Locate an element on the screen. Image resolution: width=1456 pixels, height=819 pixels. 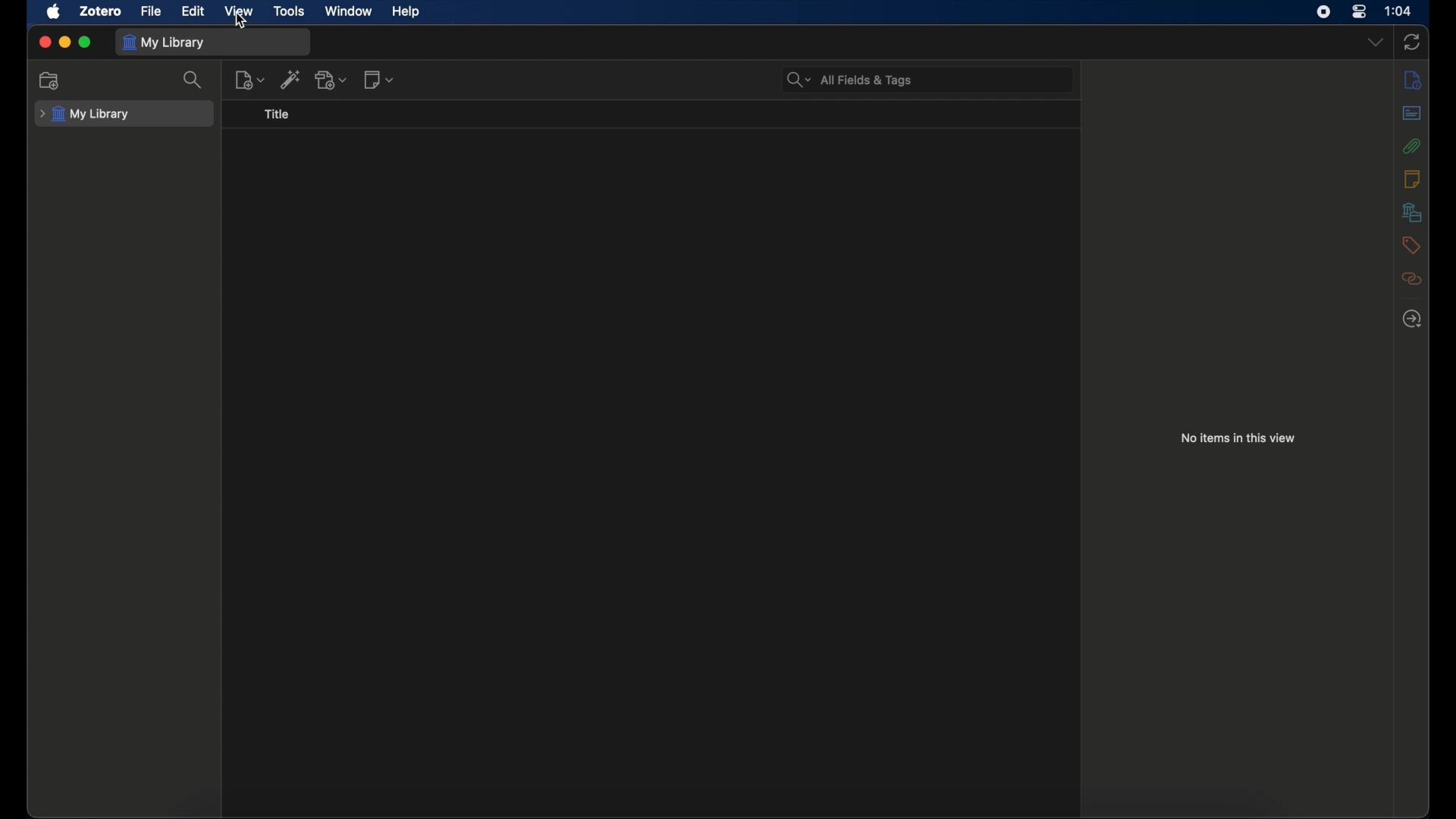
search  is located at coordinates (848, 80).